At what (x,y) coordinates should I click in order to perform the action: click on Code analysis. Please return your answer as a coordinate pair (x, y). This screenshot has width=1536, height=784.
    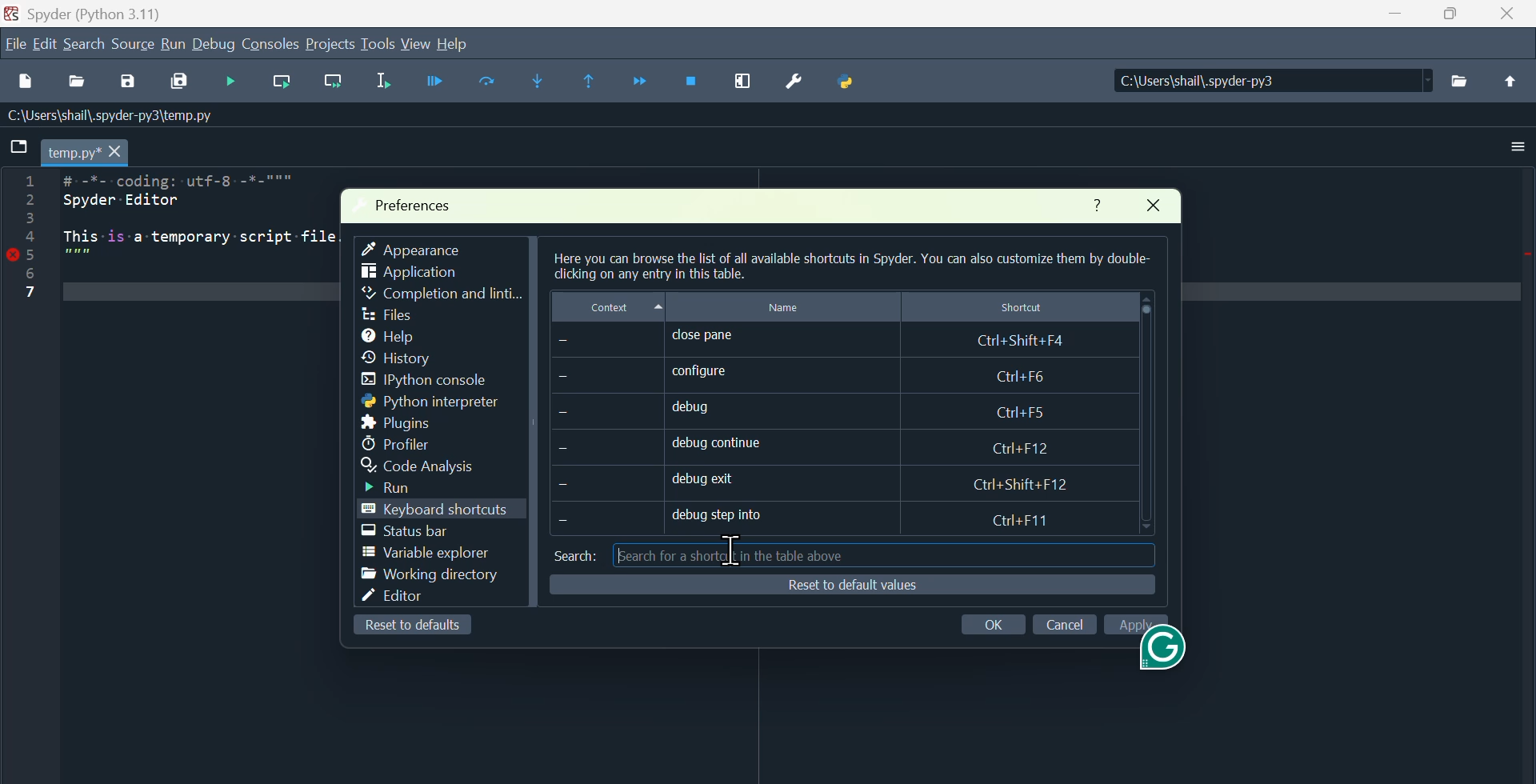
    Looking at the image, I should click on (446, 465).